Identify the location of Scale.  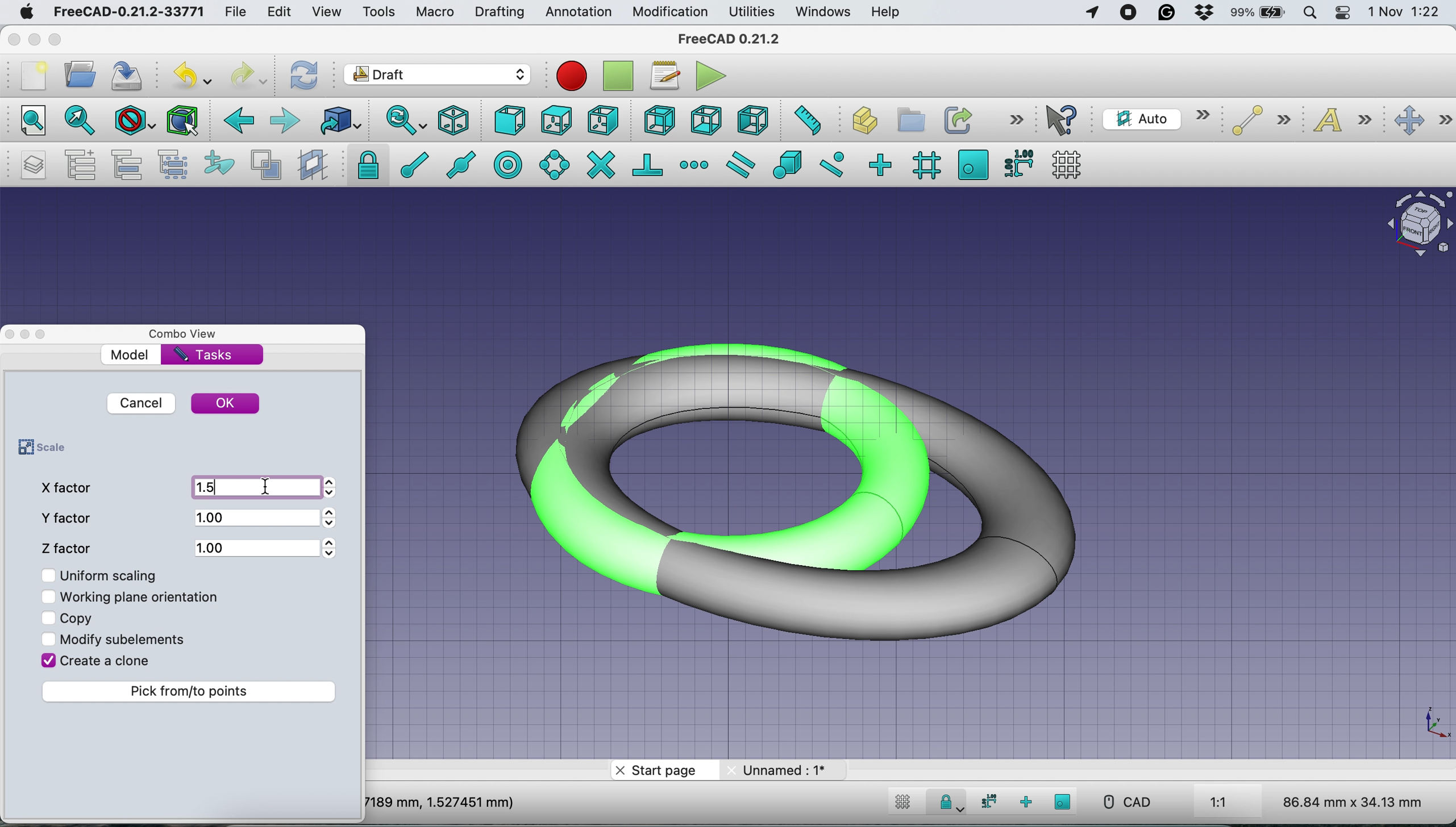
(1434, 724).